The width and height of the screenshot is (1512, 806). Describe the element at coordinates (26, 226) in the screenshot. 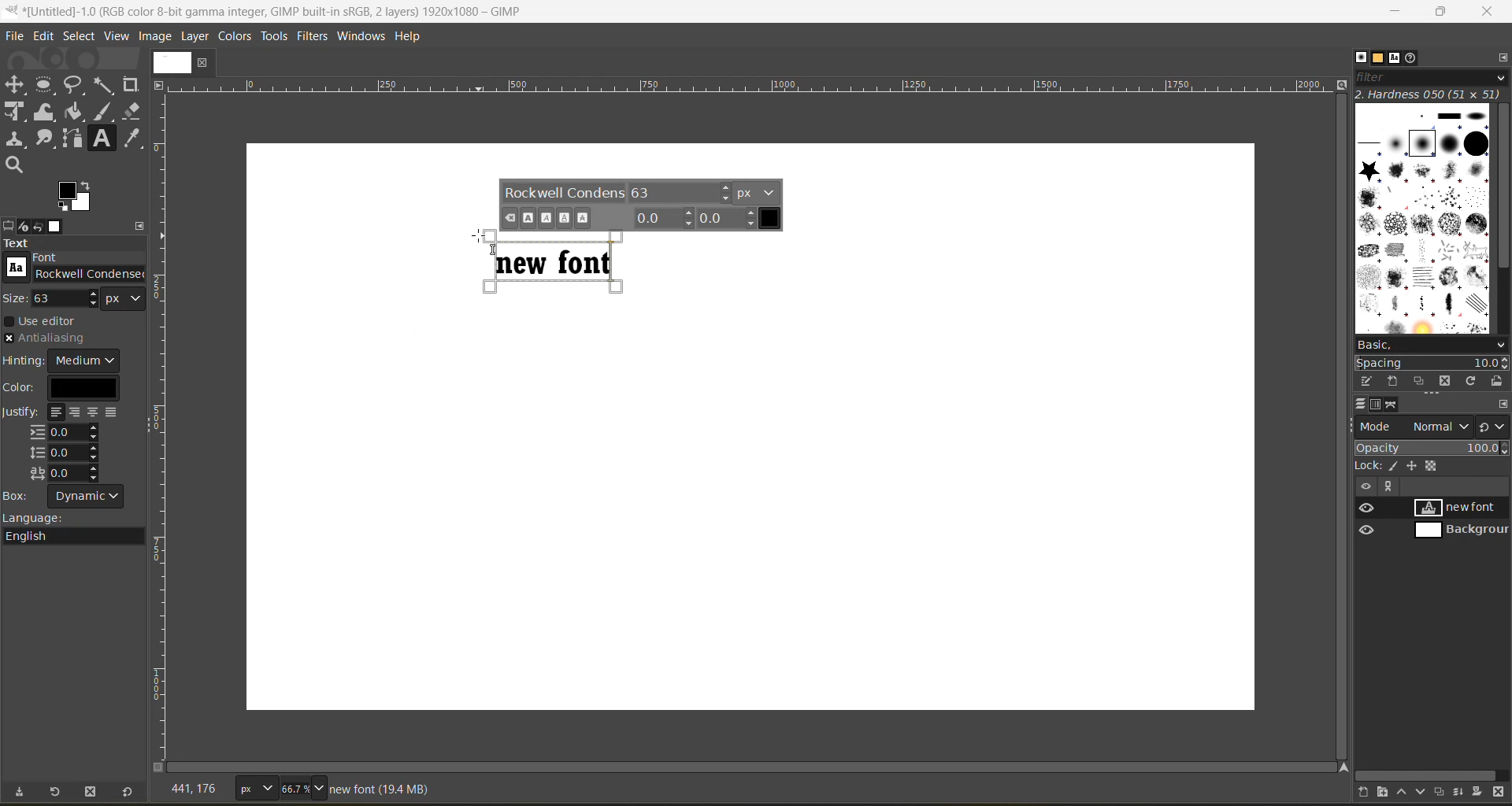

I see `device status` at that location.